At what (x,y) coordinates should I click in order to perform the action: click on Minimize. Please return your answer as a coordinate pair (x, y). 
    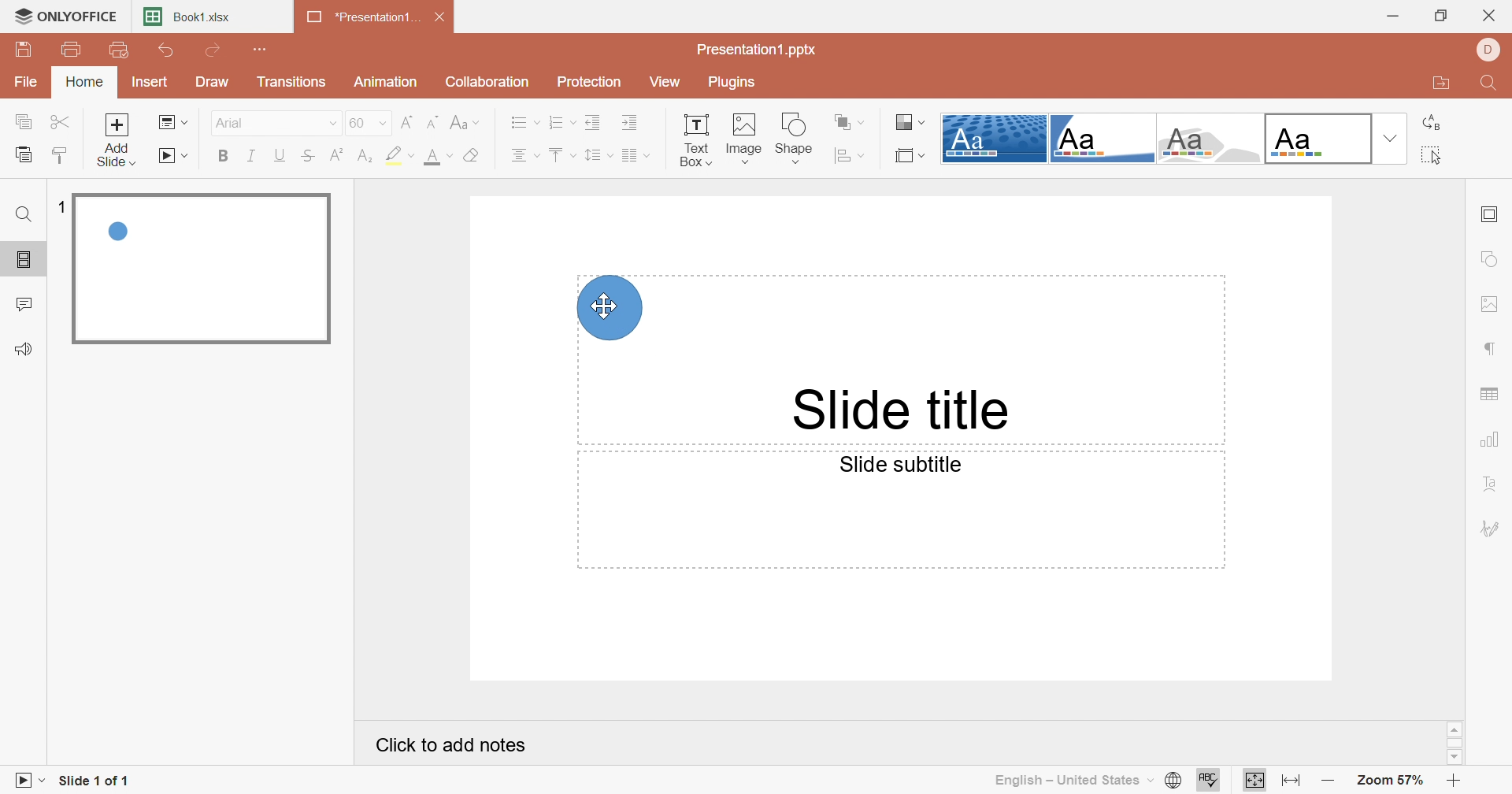
    Looking at the image, I should click on (1397, 15).